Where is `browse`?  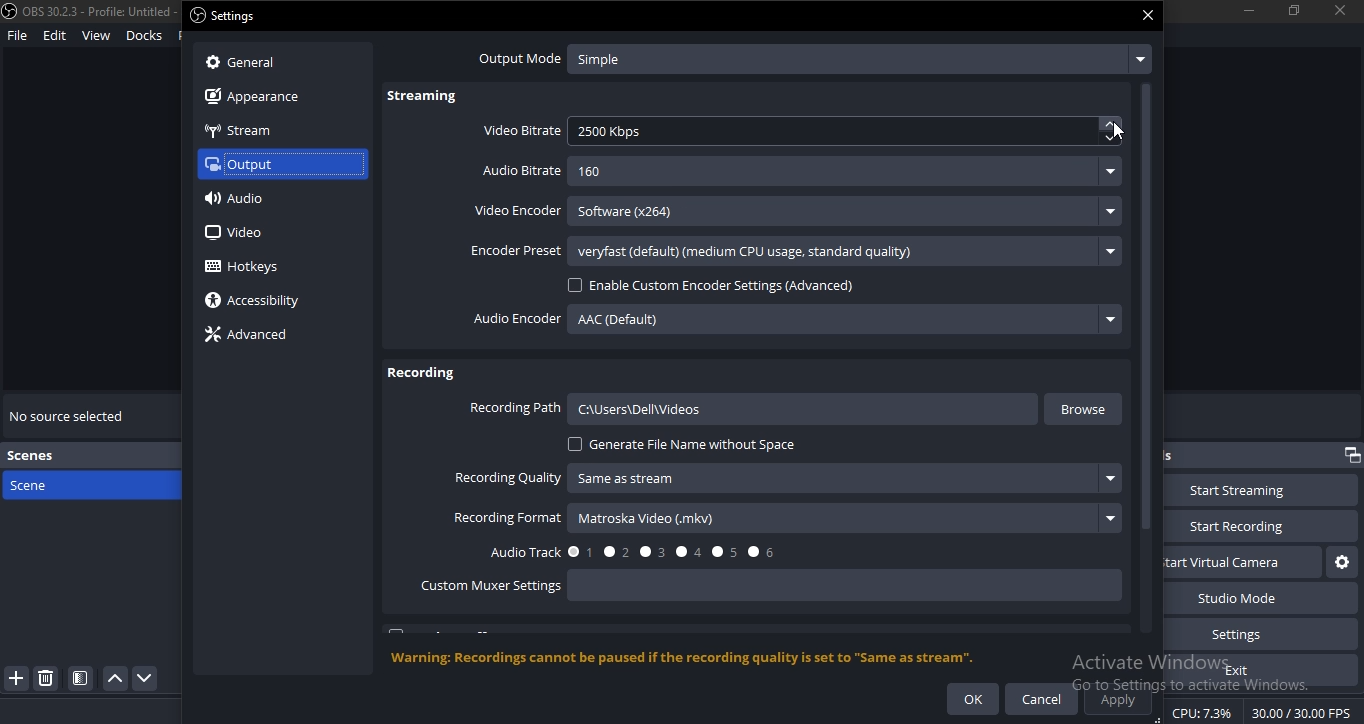 browse is located at coordinates (1085, 409).